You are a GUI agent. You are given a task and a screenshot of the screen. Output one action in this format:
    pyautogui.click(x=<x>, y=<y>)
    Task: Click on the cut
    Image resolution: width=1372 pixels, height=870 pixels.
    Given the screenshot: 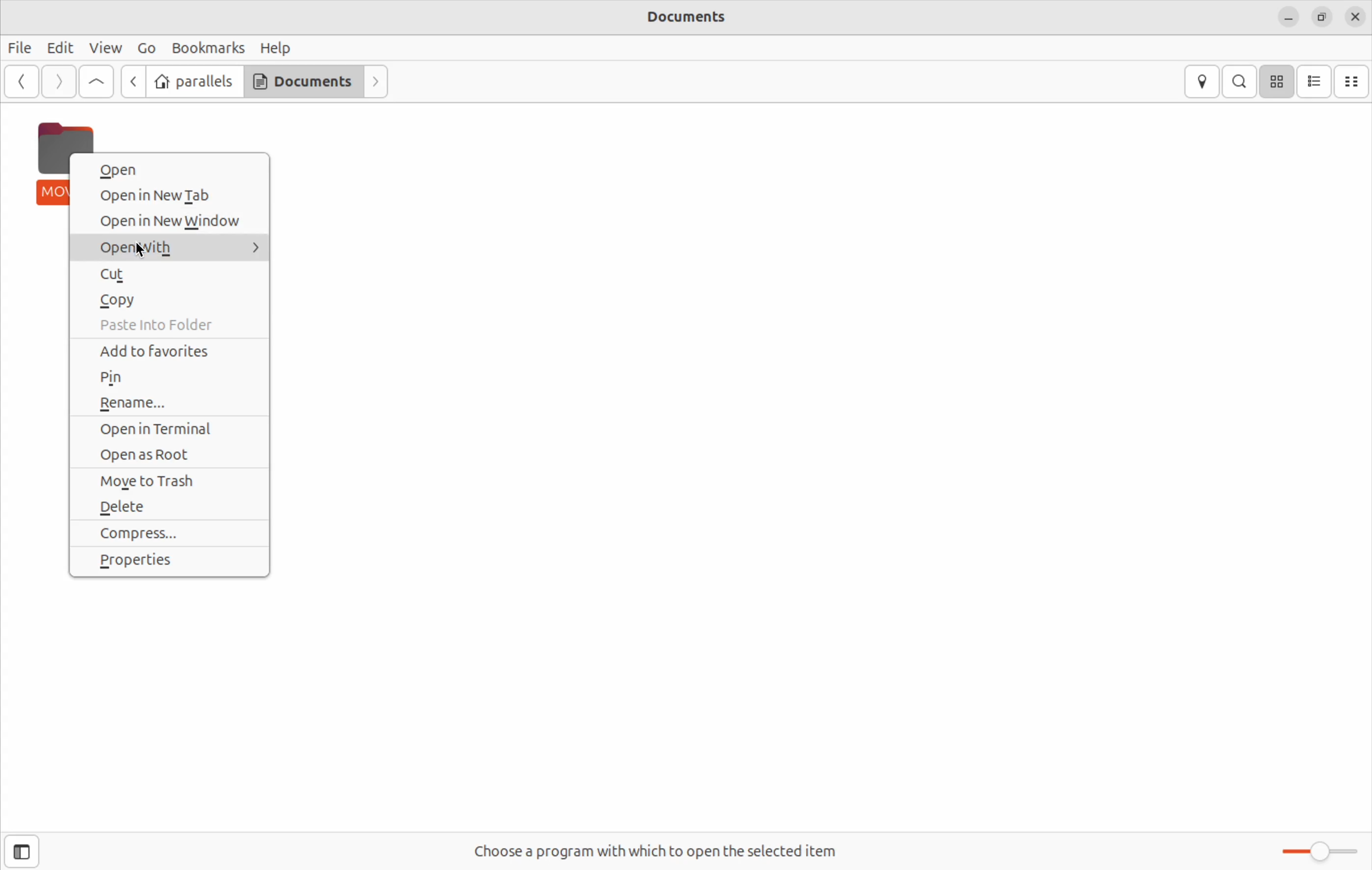 What is the action you would take?
    pyautogui.click(x=168, y=275)
    